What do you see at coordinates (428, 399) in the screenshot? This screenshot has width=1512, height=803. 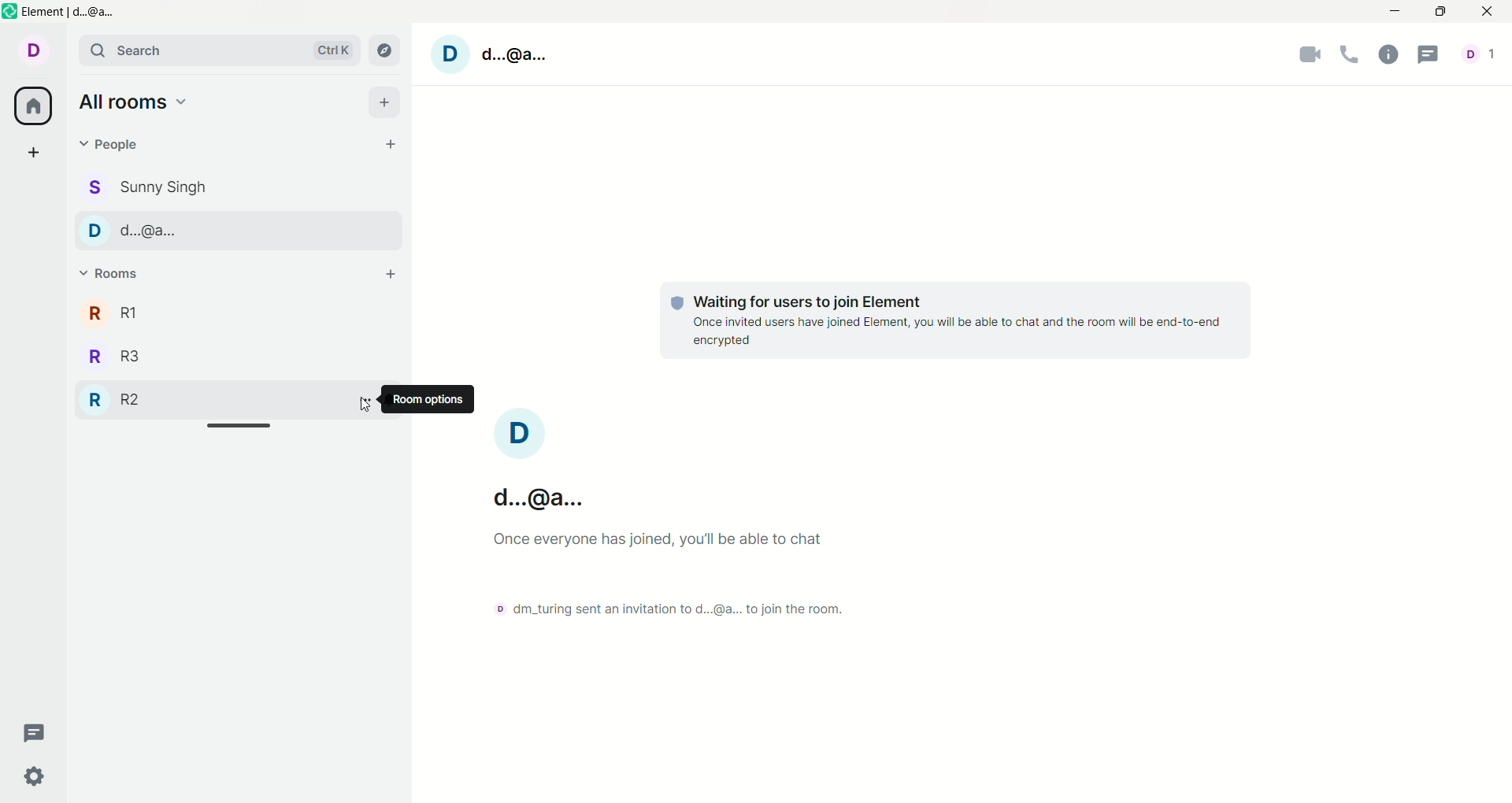 I see `room option` at bounding box center [428, 399].